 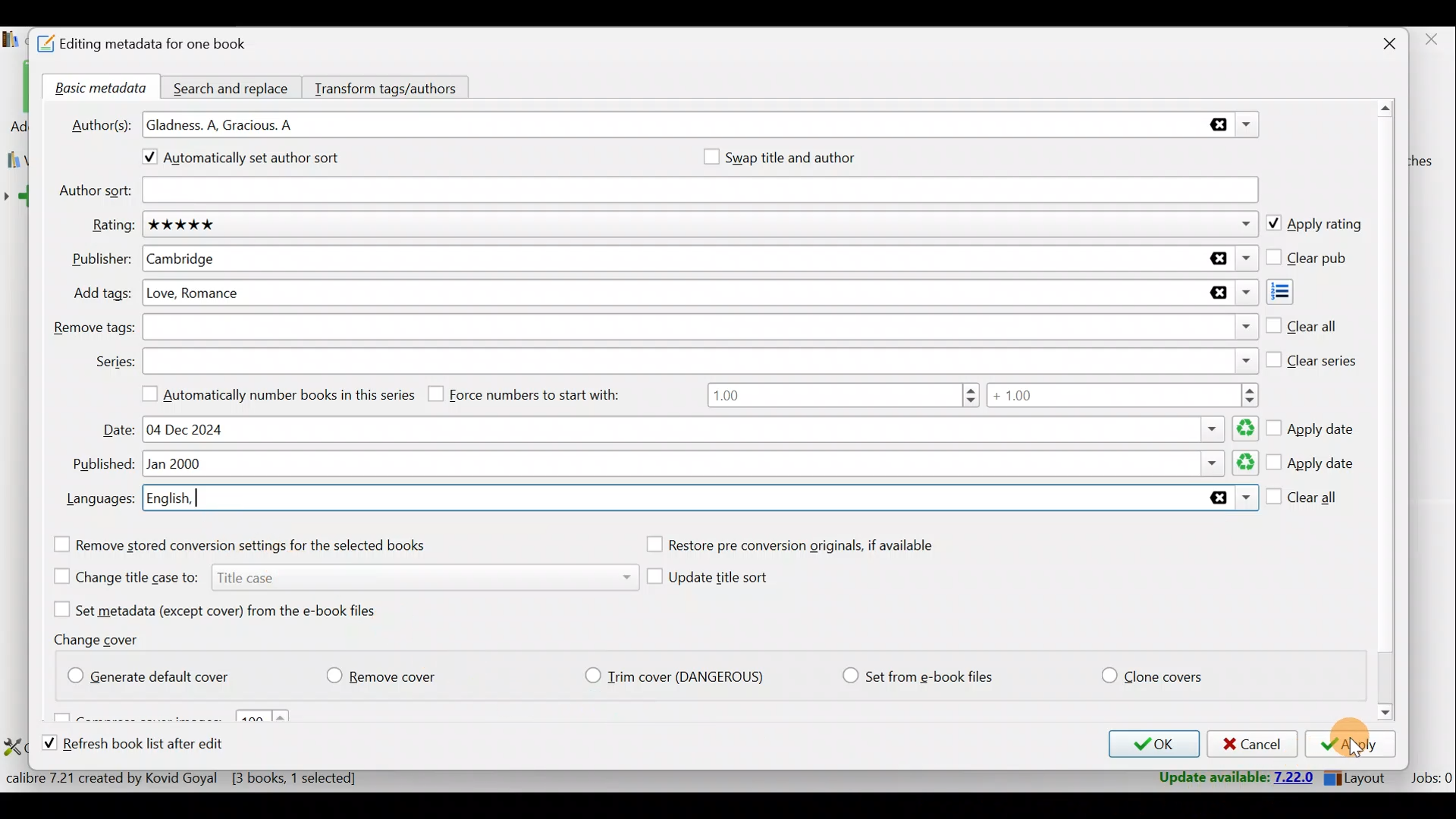 What do you see at coordinates (1353, 749) in the screenshot?
I see `Cursor` at bounding box center [1353, 749].